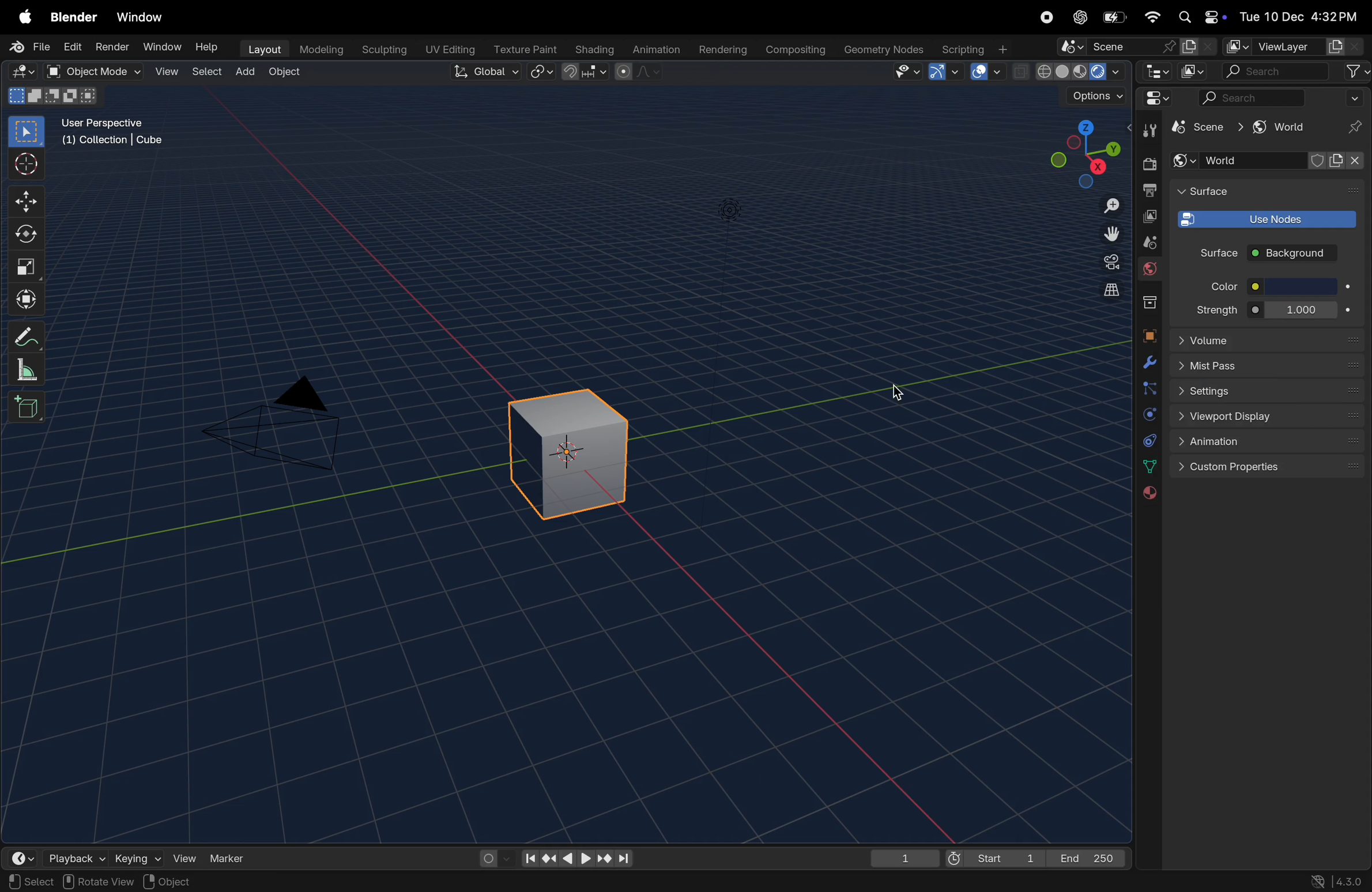 Image resolution: width=1372 pixels, height=892 pixels. Describe the element at coordinates (1147, 362) in the screenshot. I see `modifiers` at that location.